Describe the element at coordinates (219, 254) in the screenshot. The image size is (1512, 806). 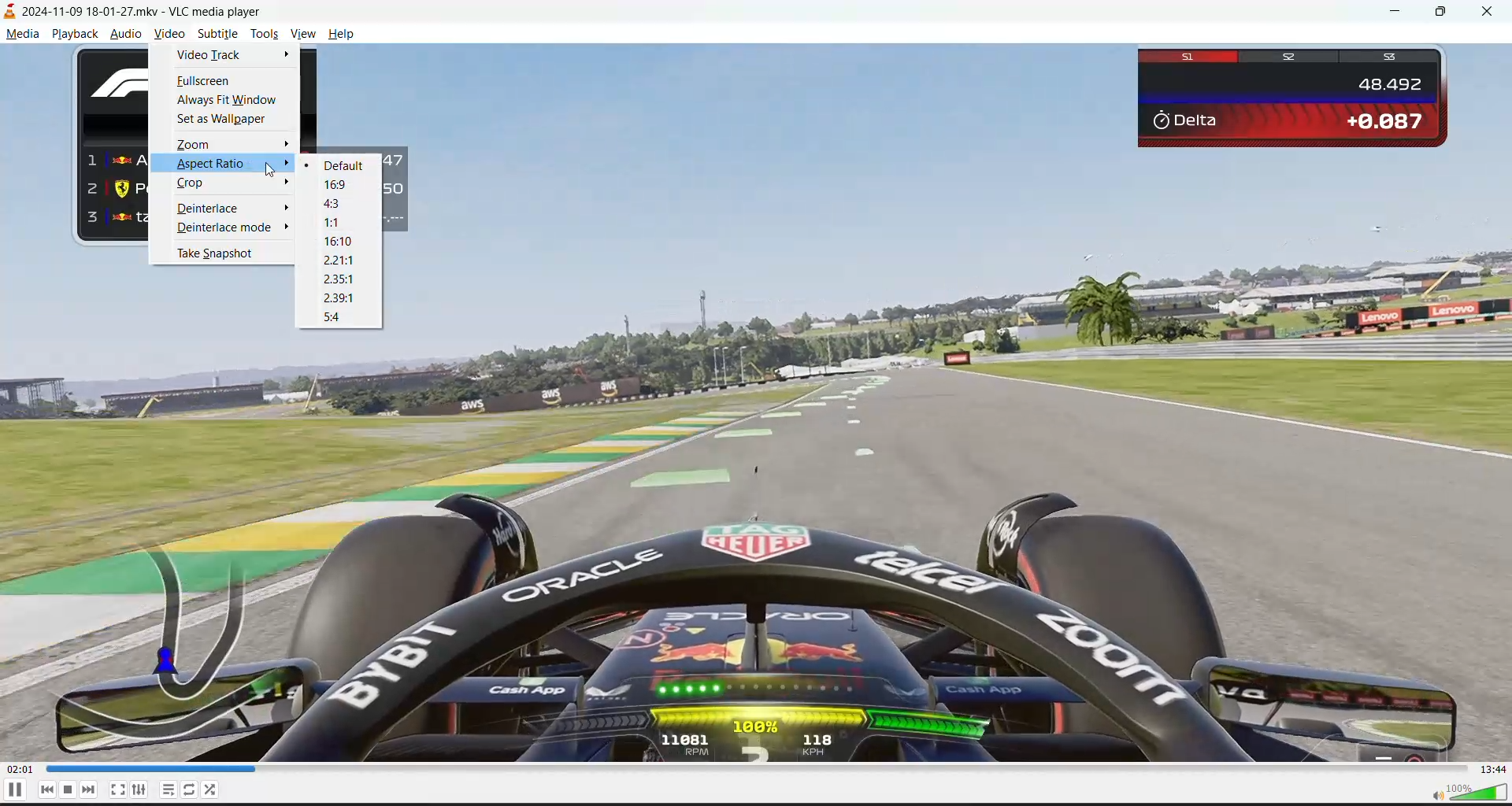
I see `take snapshot` at that location.